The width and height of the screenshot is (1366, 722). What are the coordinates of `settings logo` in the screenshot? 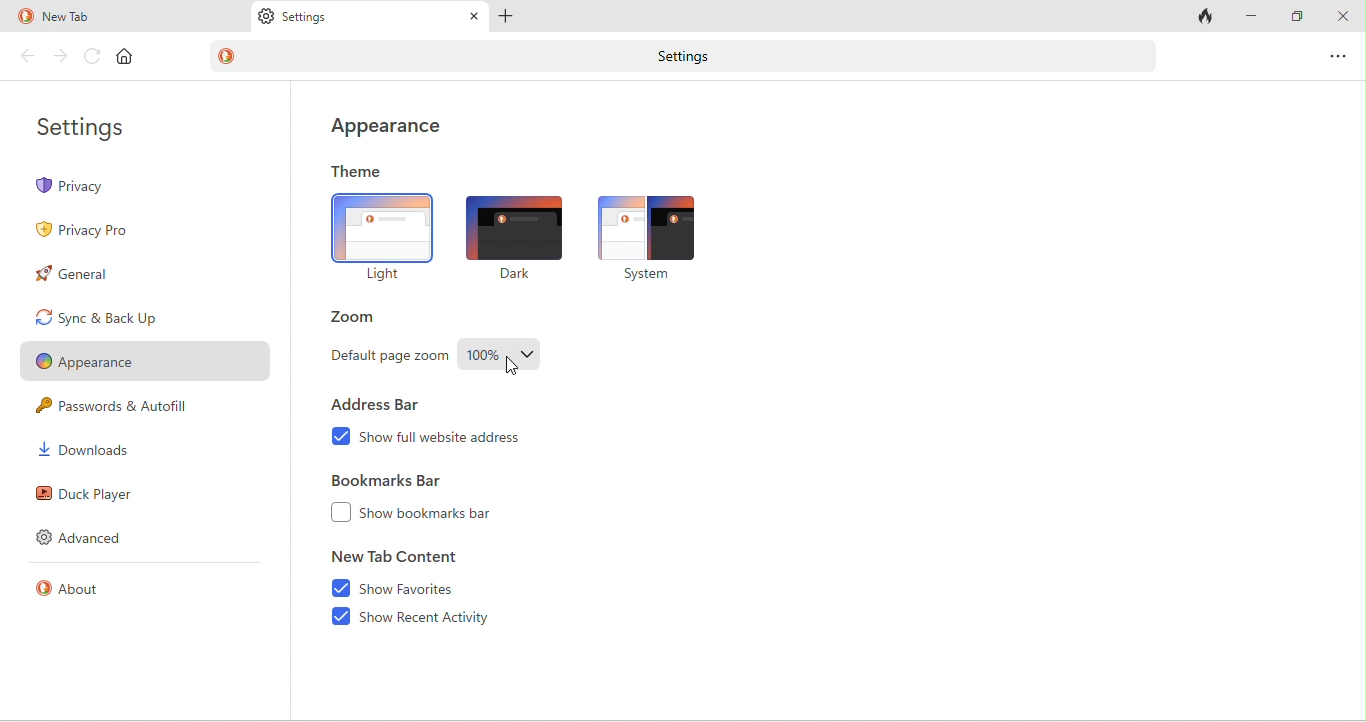 It's located at (266, 19).